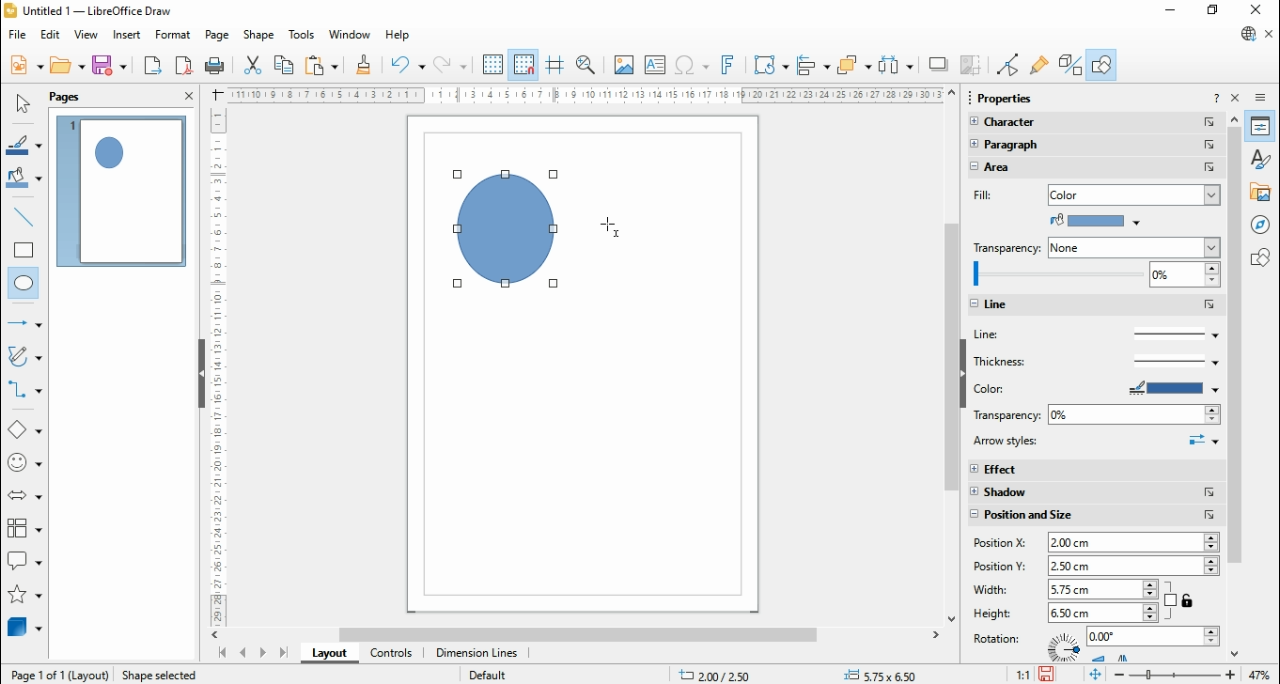 The image size is (1280, 684). I want to click on crop image, so click(973, 65).